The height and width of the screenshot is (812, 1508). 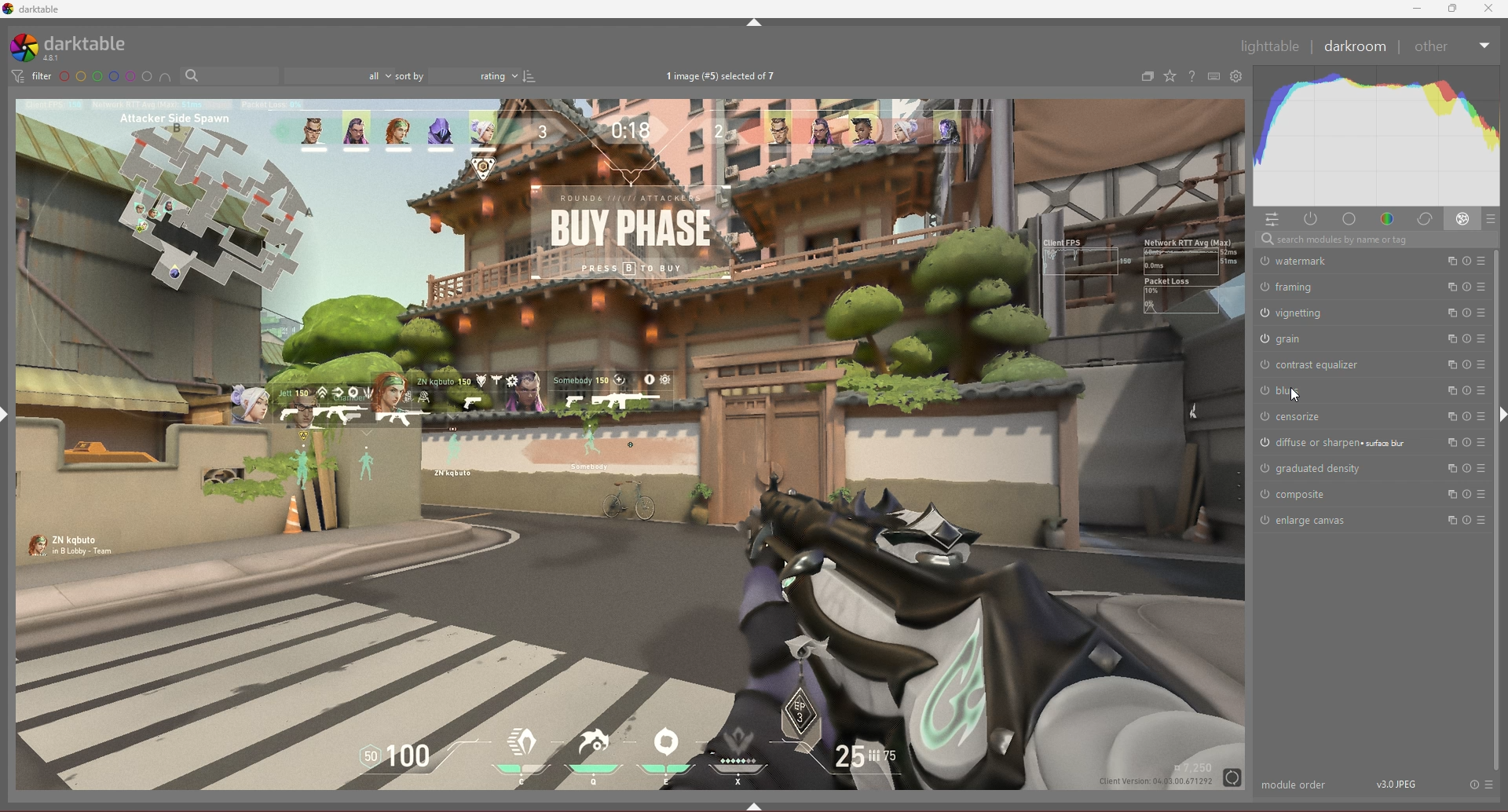 I want to click on keyboard shortcut, so click(x=1214, y=76).